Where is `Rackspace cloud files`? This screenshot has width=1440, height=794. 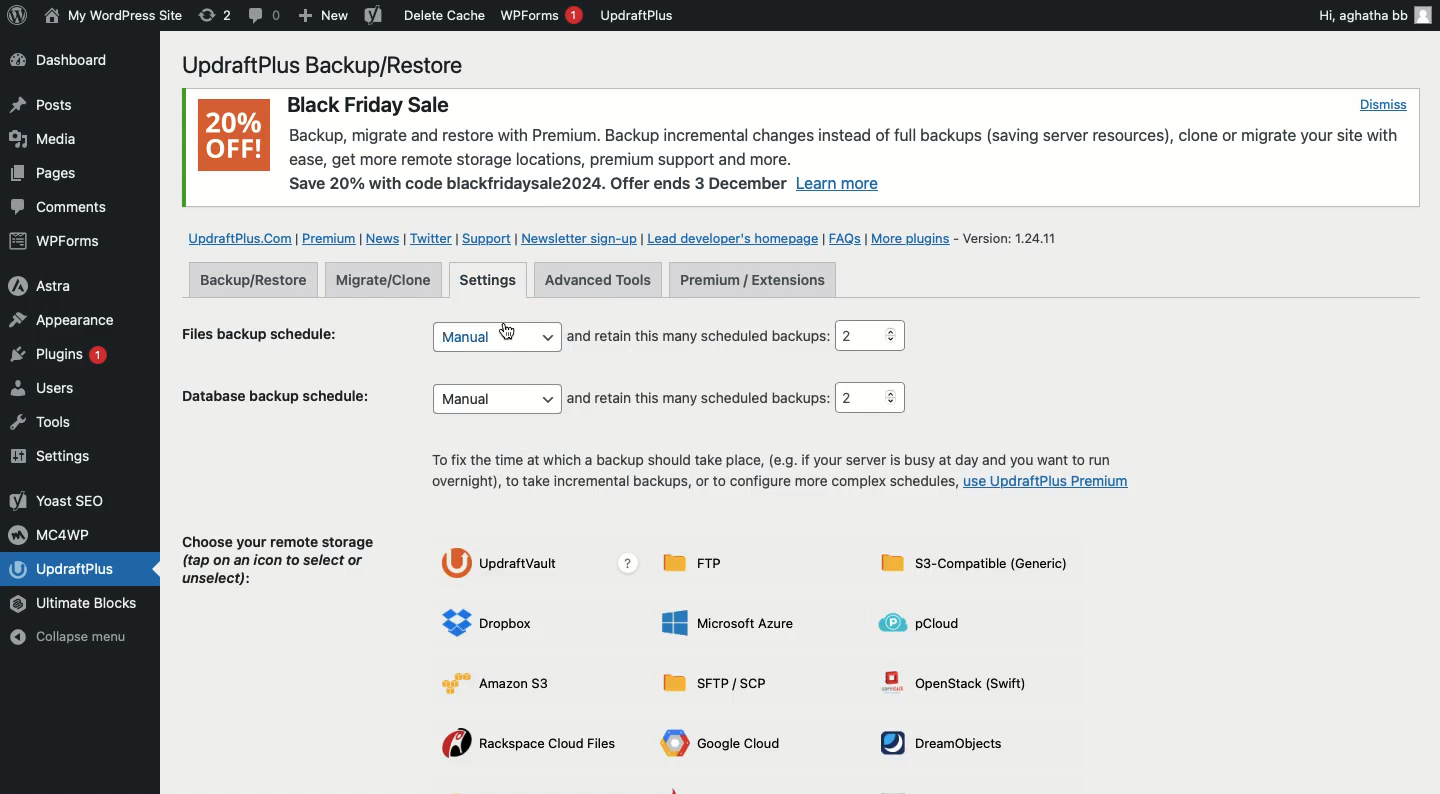
Rackspace cloud files is located at coordinates (534, 745).